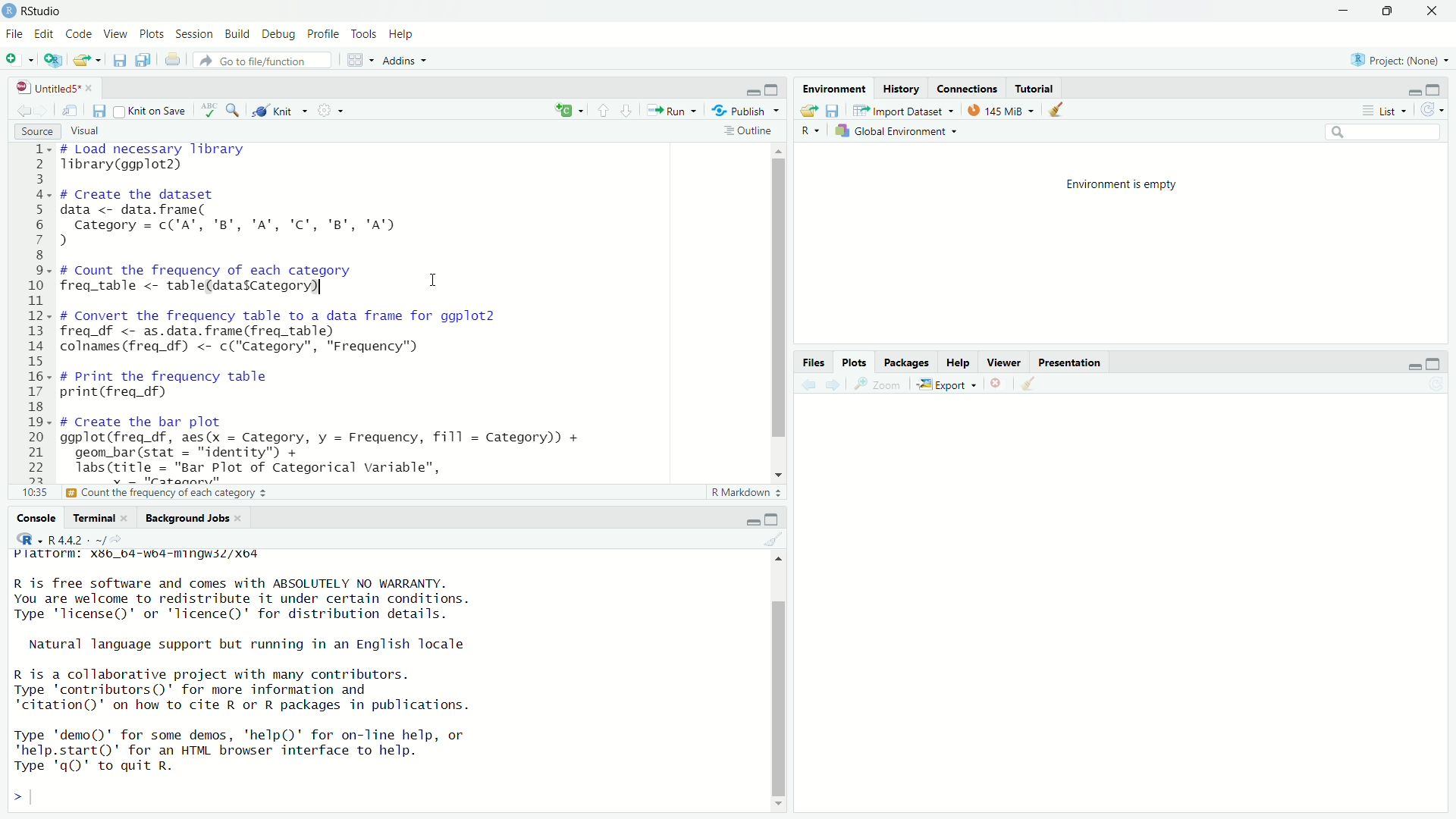 Image resolution: width=1456 pixels, height=819 pixels. I want to click on save all, so click(146, 60).